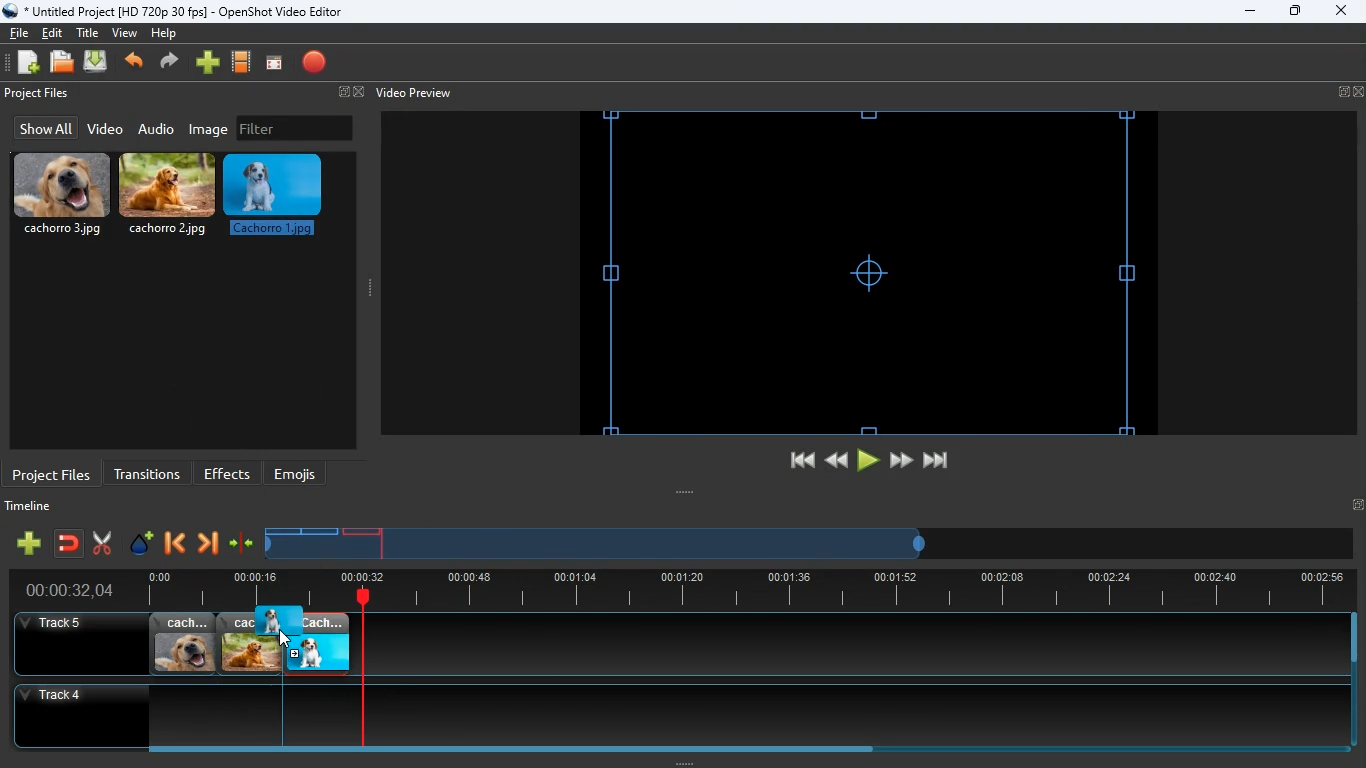 This screenshot has width=1366, height=768. Describe the element at coordinates (62, 195) in the screenshot. I see `cachorro.3.jpg` at that location.